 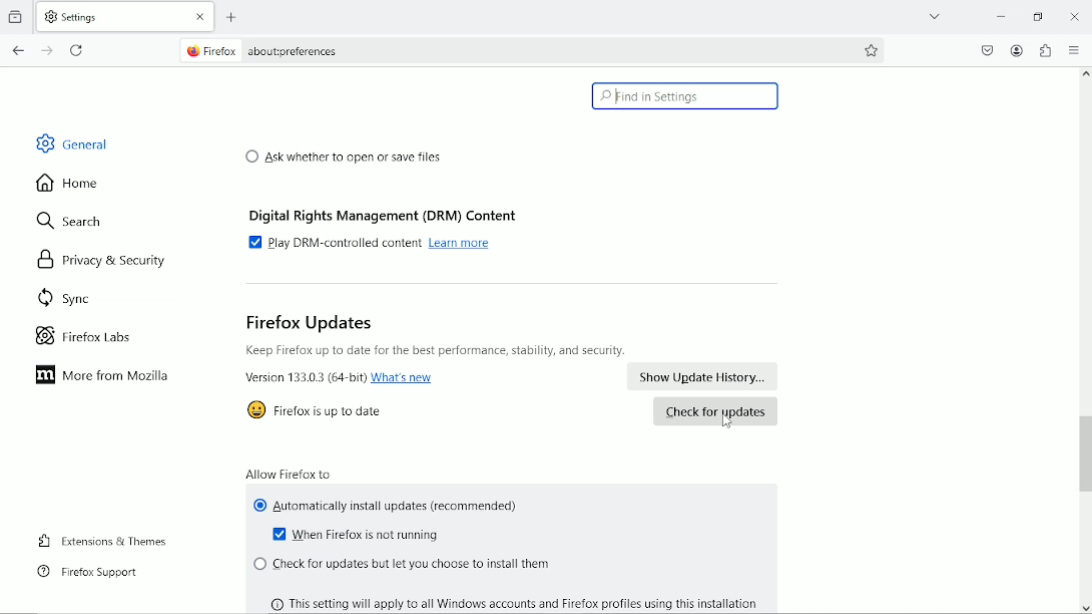 What do you see at coordinates (20, 49) in the screenshot?
I see `go back` at bounding box center [20, 49].